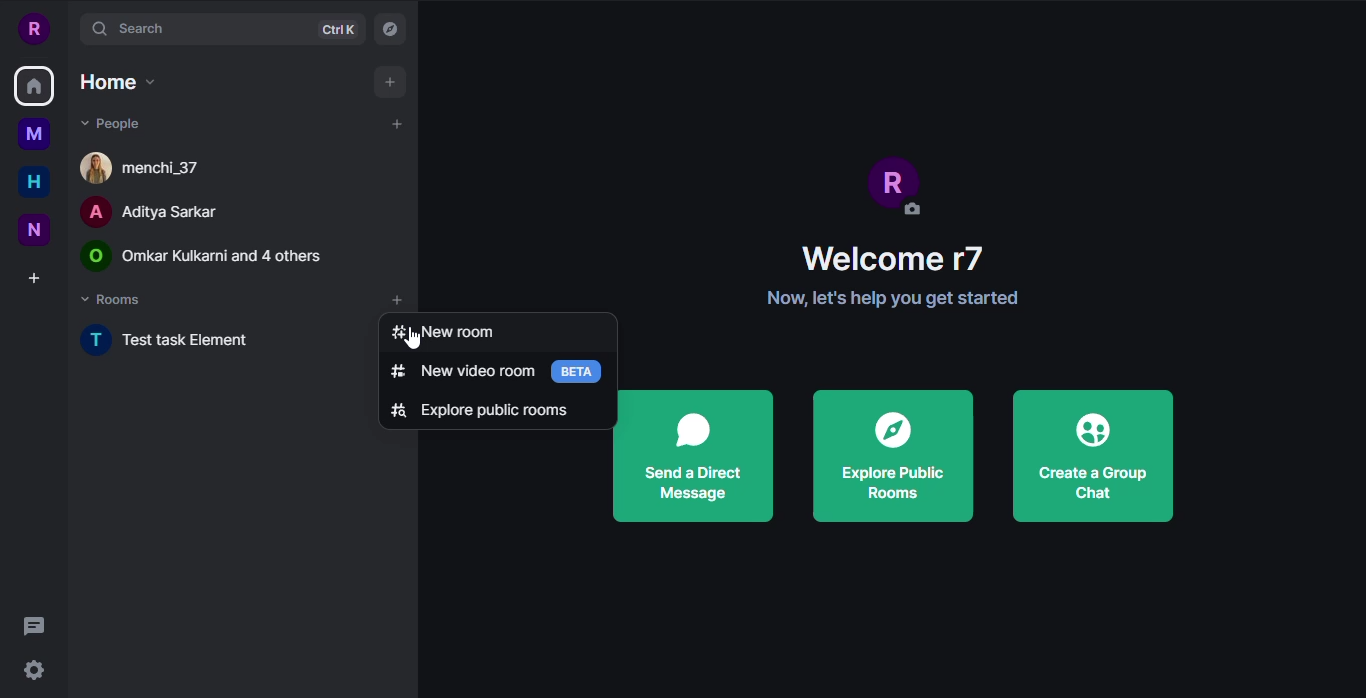 The image size is (1366, 698). I want to click on create a space, so click(34, 278).